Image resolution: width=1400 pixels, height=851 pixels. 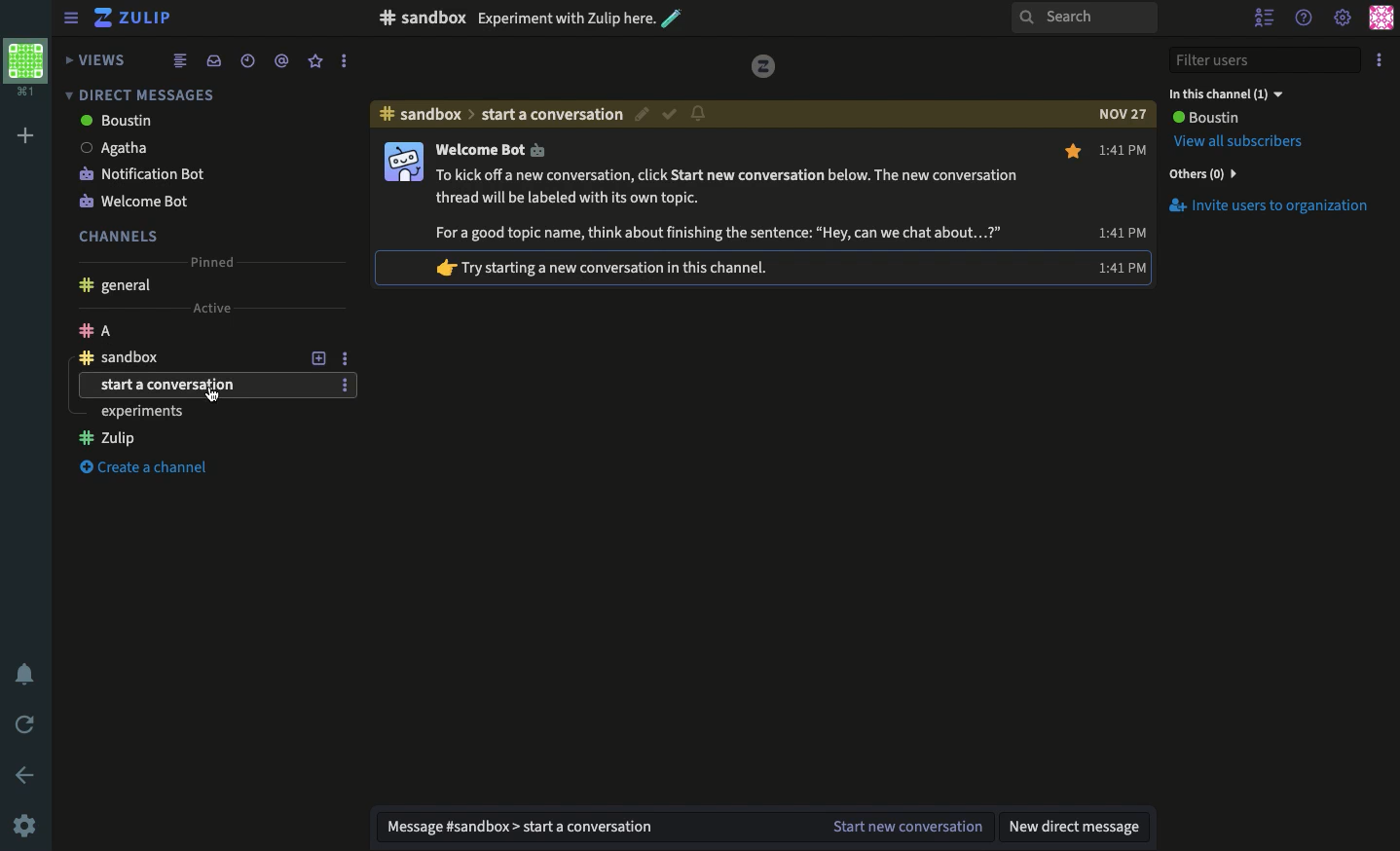 I want to click on boustin, so click(x=182, y=122).